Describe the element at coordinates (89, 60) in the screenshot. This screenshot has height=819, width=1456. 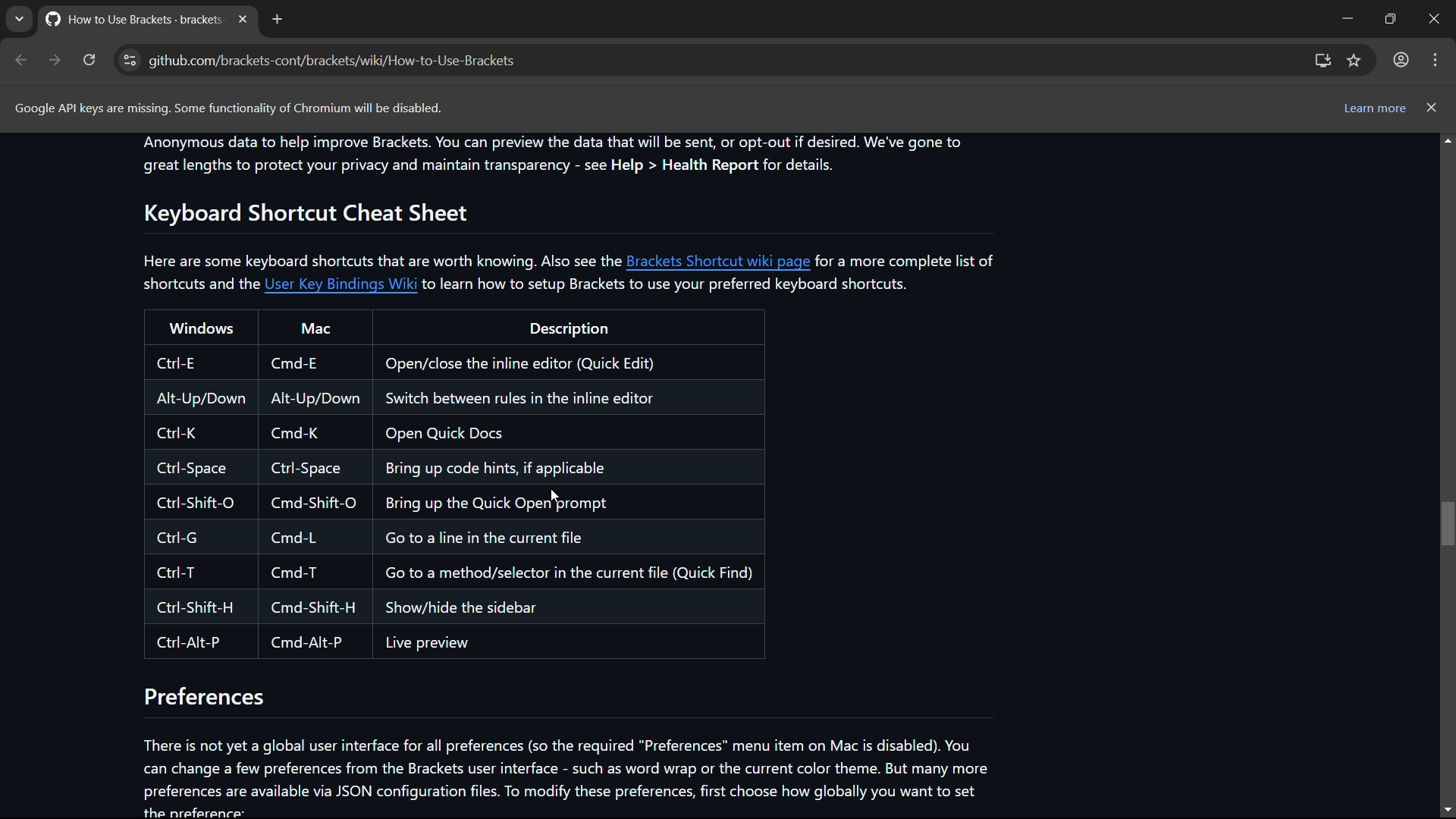
I see `reload` at that location.